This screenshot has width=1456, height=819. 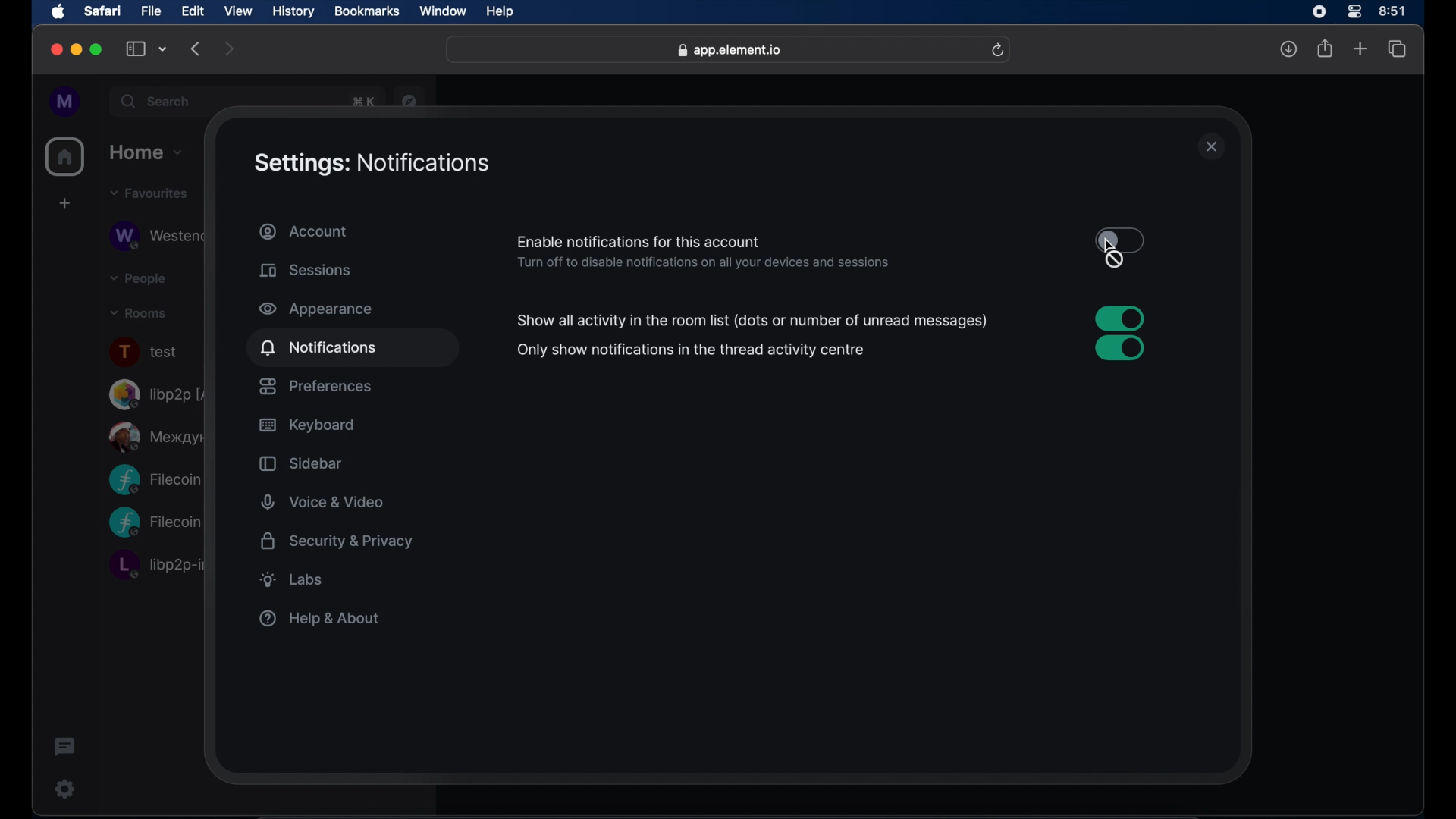 I want to click on appearance, so click(x=315, y=309).